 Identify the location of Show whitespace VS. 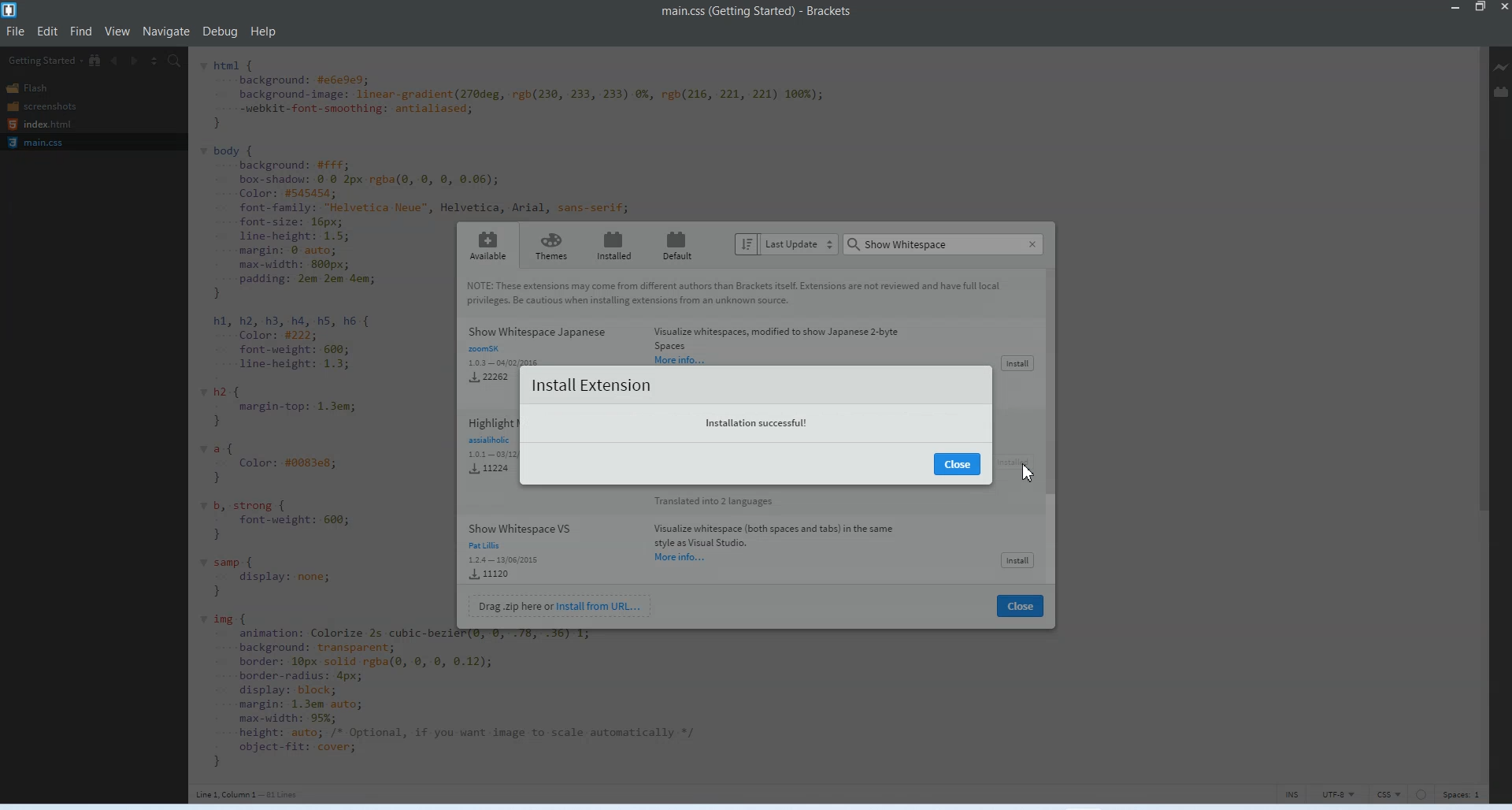
(724, 550).